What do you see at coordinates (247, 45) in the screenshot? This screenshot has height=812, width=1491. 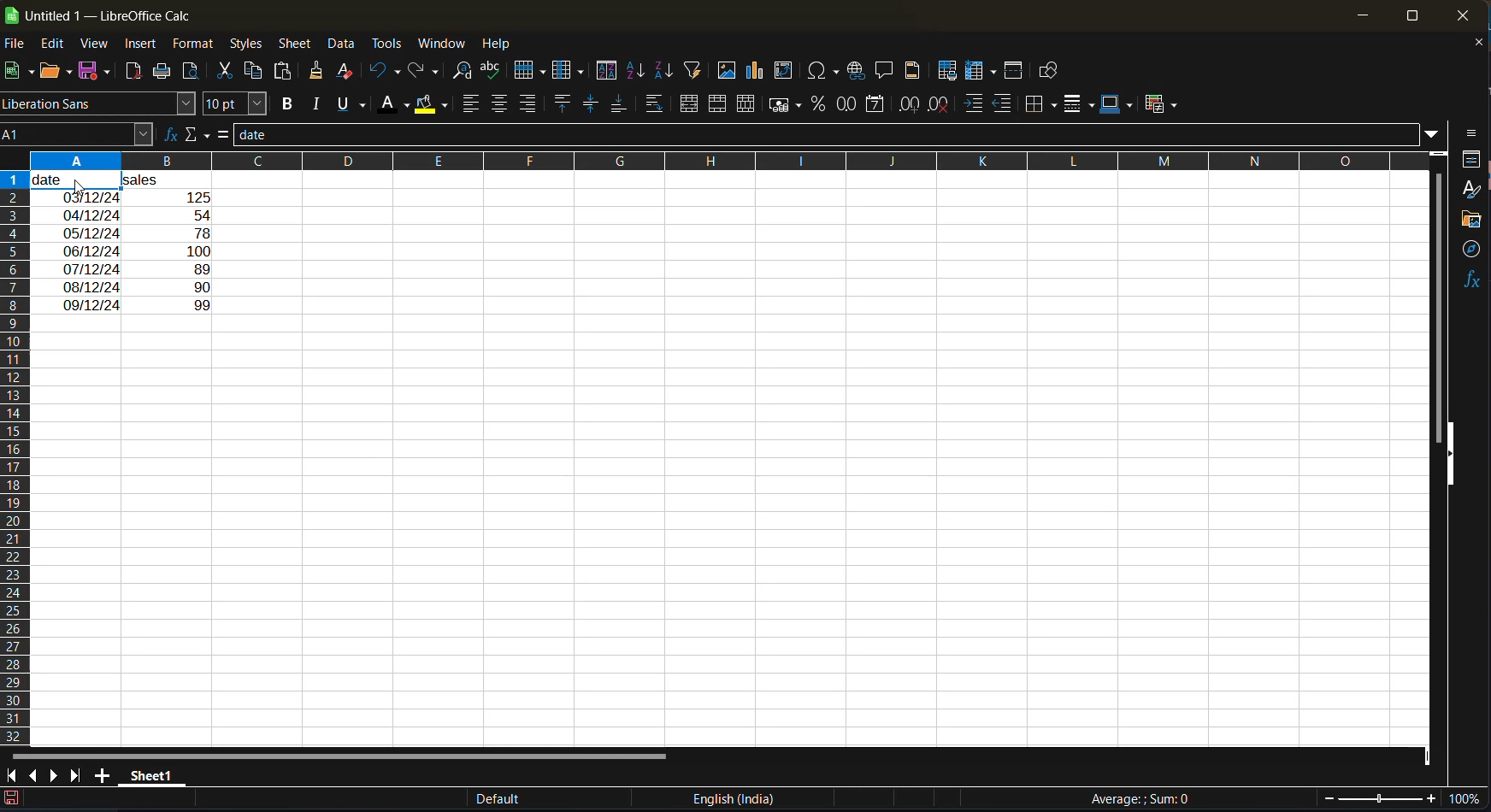 I see `styles` at bounding box center [247, 45].